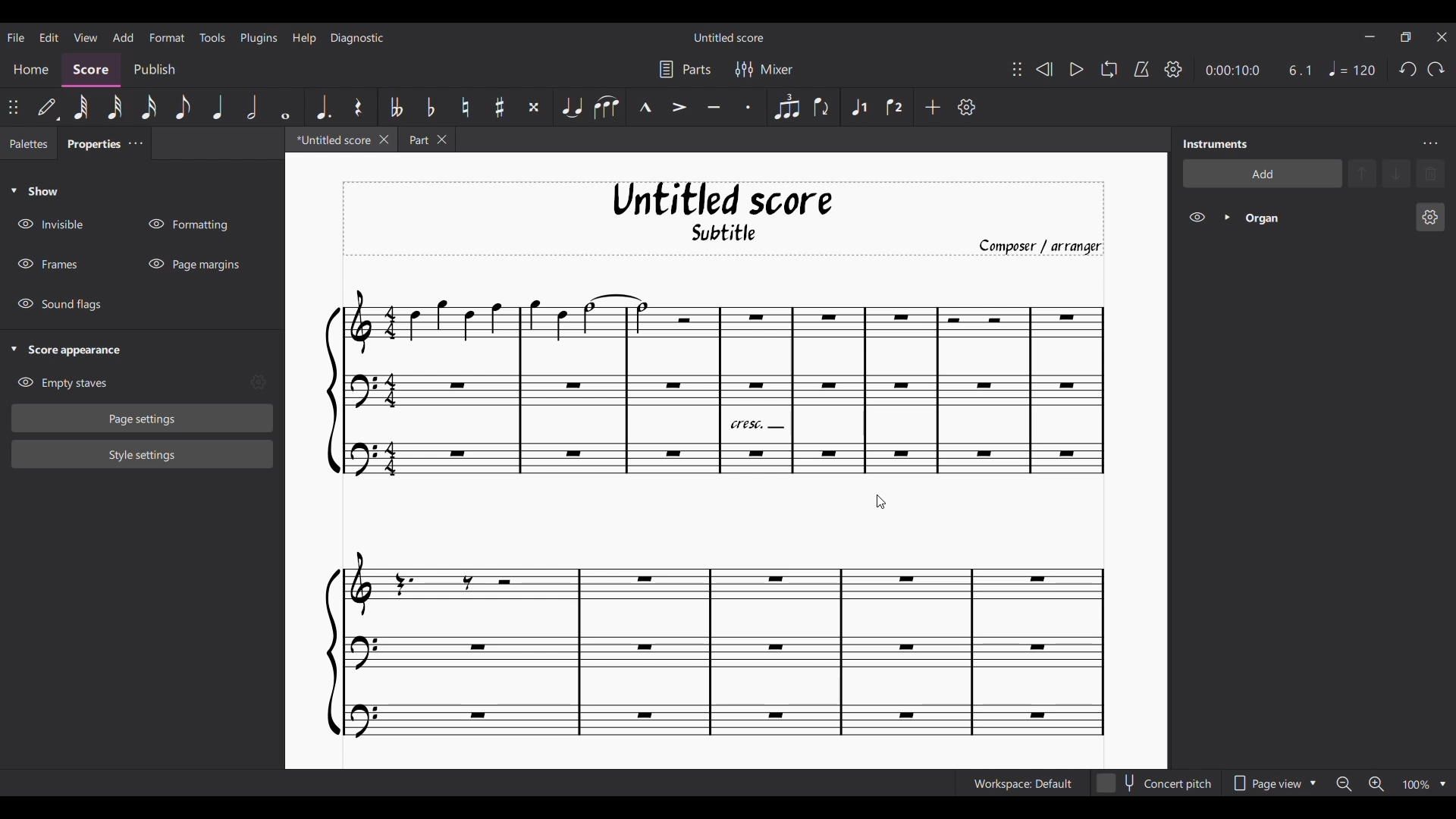 This screenshot has height=819, width=1456. What do you see at coordinates (358, 38) in the screenshot?
I see `Diagnostic menu` at bounding box center [358, 38].